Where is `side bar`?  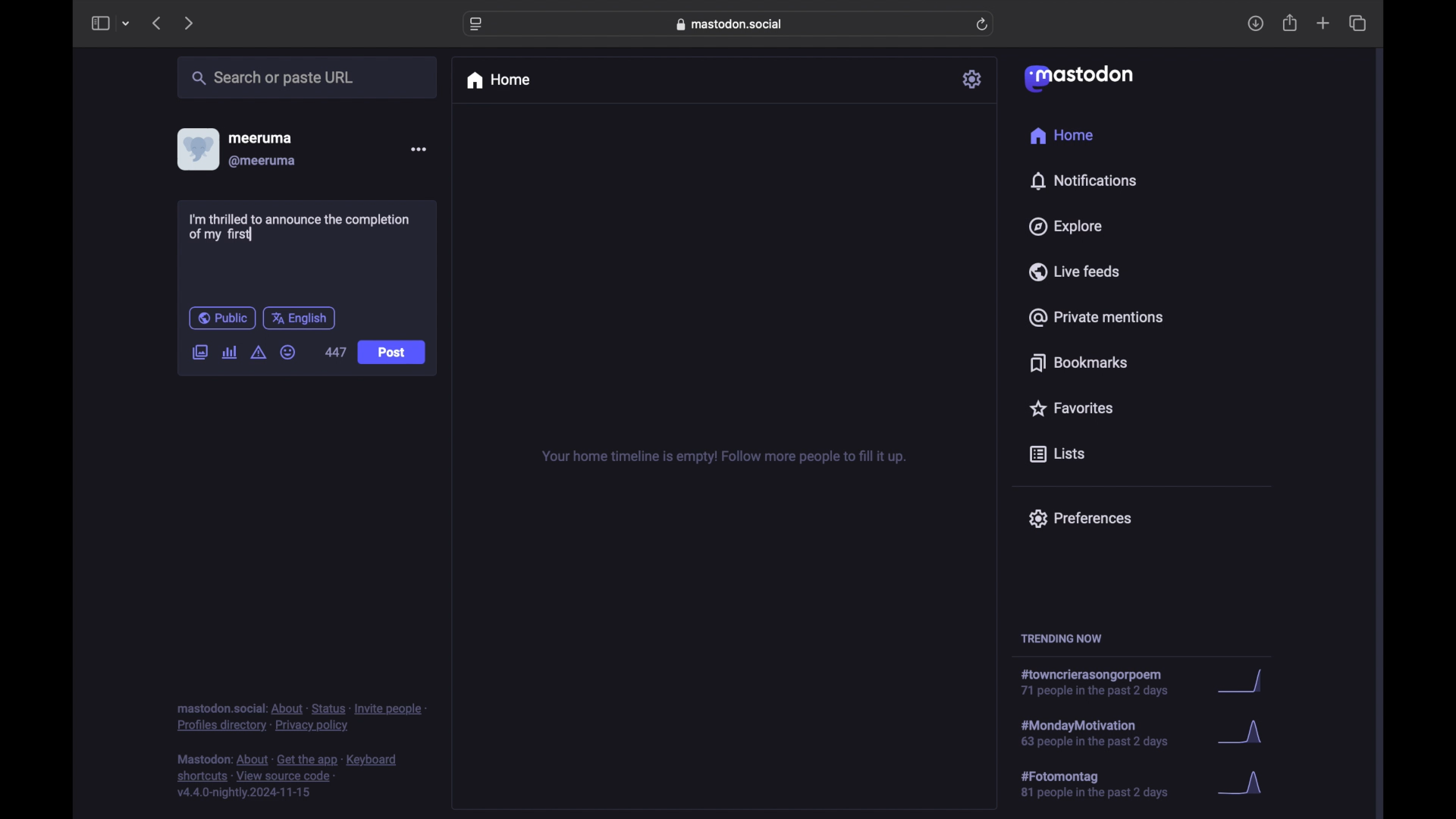 side bar is located at coordinates (99, 23).